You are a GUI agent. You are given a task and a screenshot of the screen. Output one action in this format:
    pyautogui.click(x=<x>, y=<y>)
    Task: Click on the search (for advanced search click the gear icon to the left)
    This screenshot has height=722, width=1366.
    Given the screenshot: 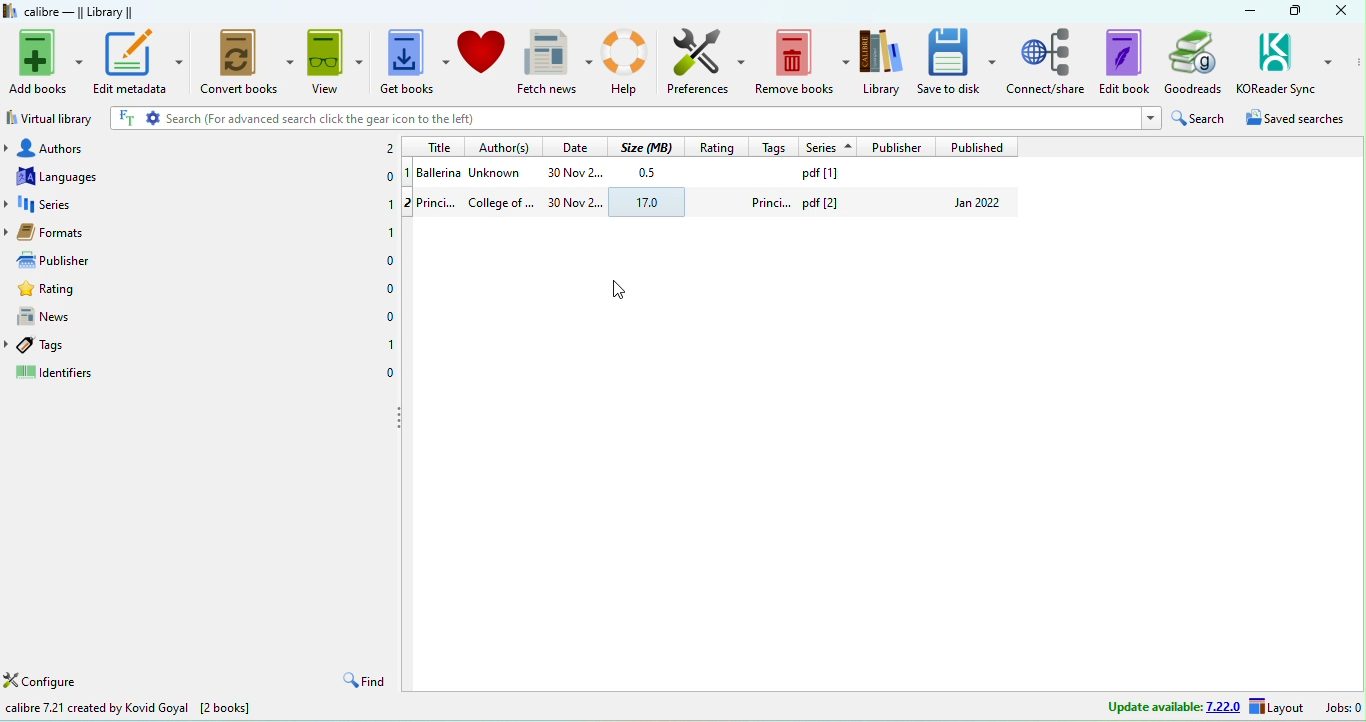 What is the action you would take?
    pyautogui.click(x=635, y=119)
    